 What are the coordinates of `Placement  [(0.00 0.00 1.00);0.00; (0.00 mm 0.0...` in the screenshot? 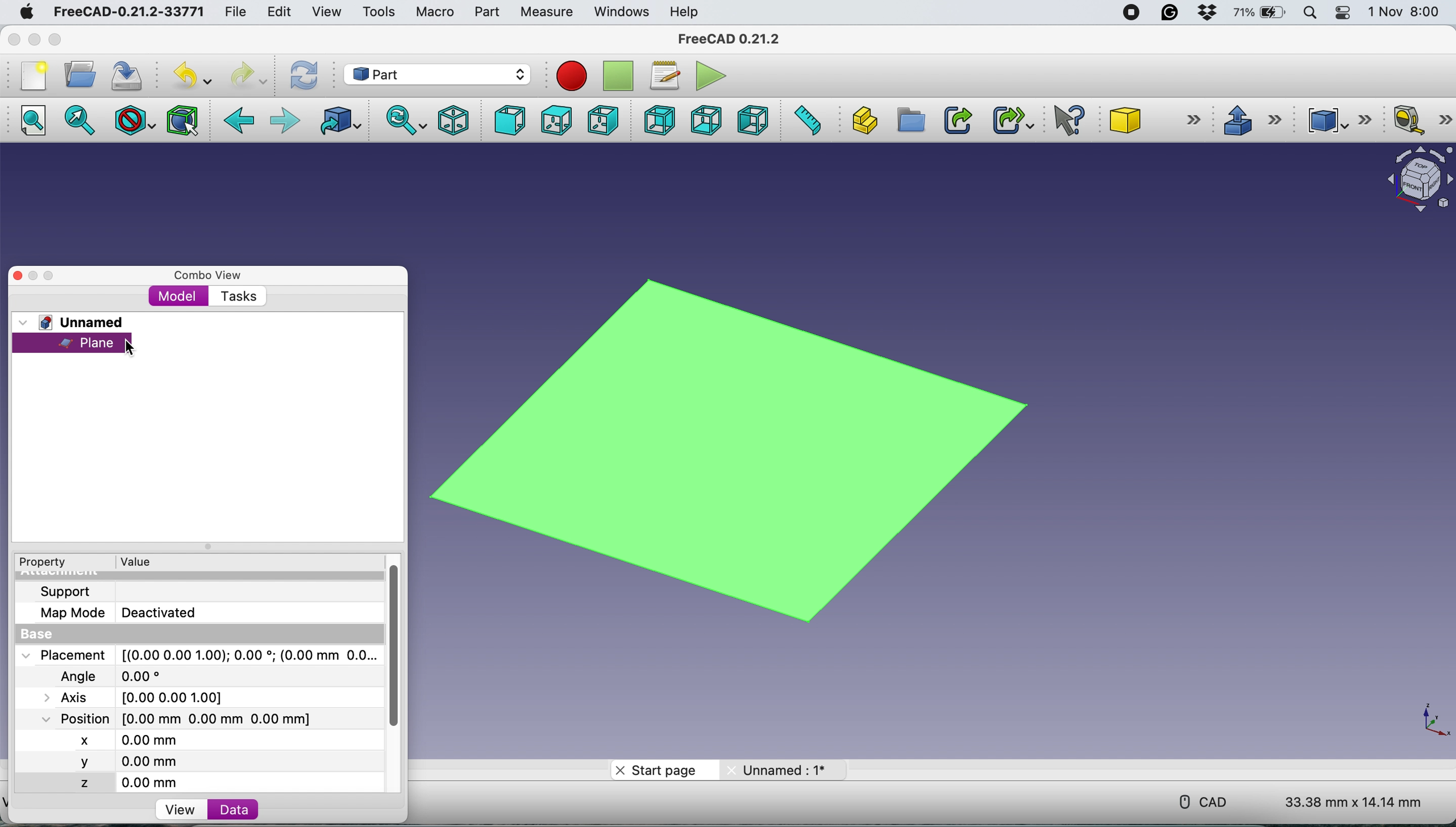 It's located at (201, 653).